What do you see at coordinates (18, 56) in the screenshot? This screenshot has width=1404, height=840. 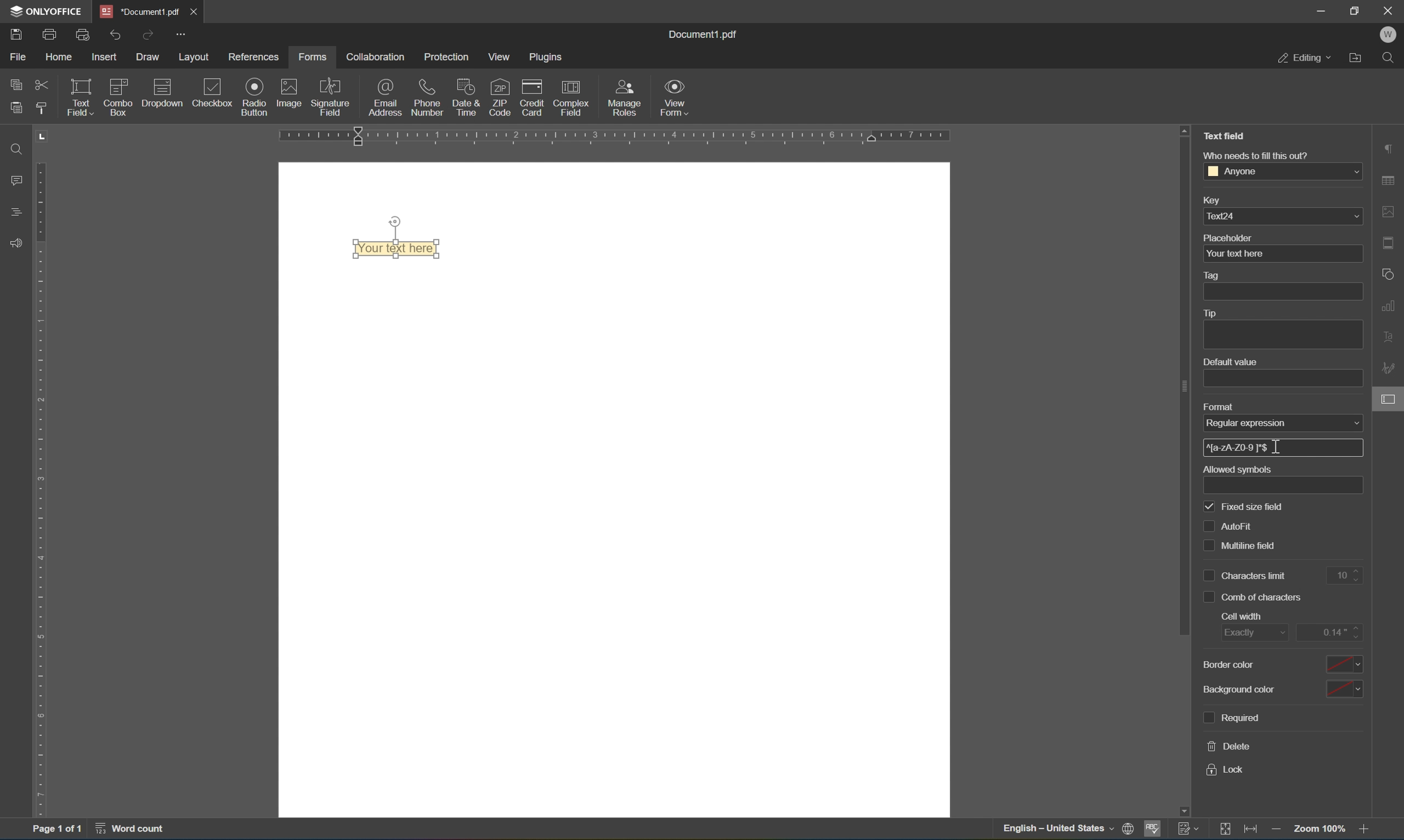 I see `file` at bounding box center [18, 56].